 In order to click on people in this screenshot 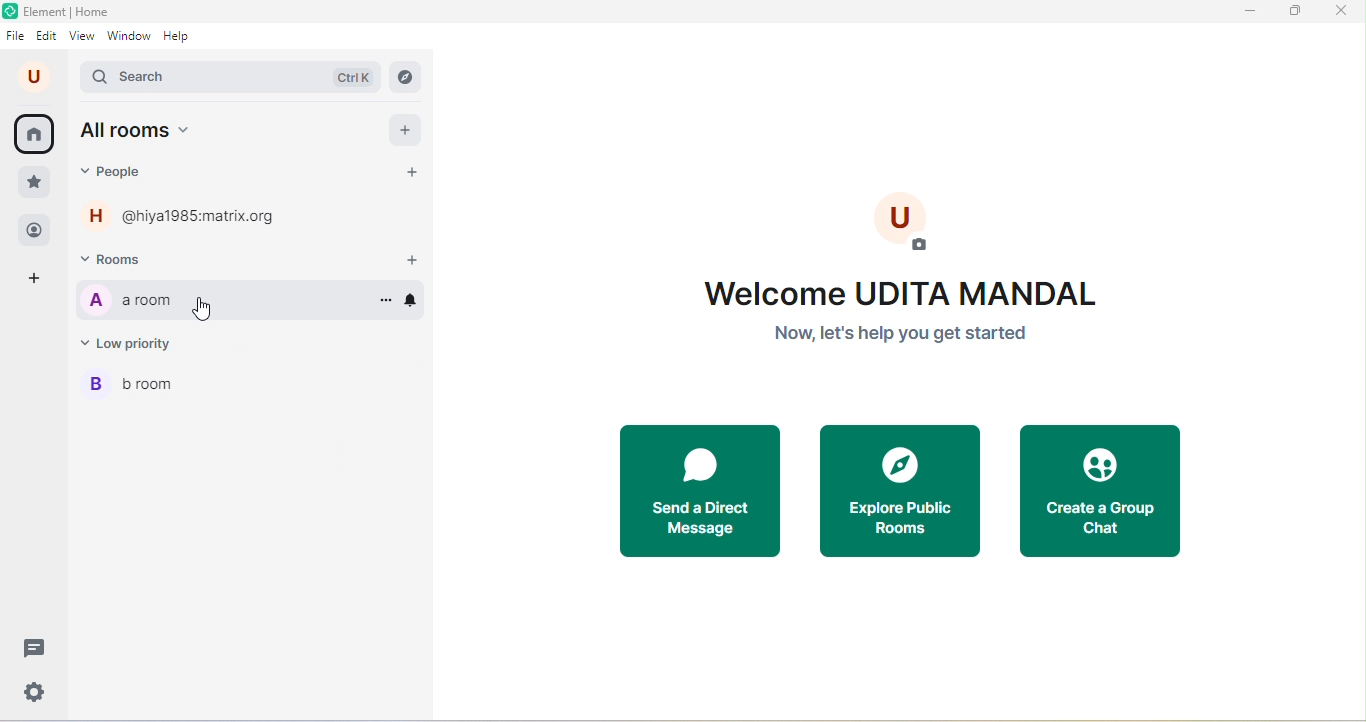, I will do `click(120, 172)`.